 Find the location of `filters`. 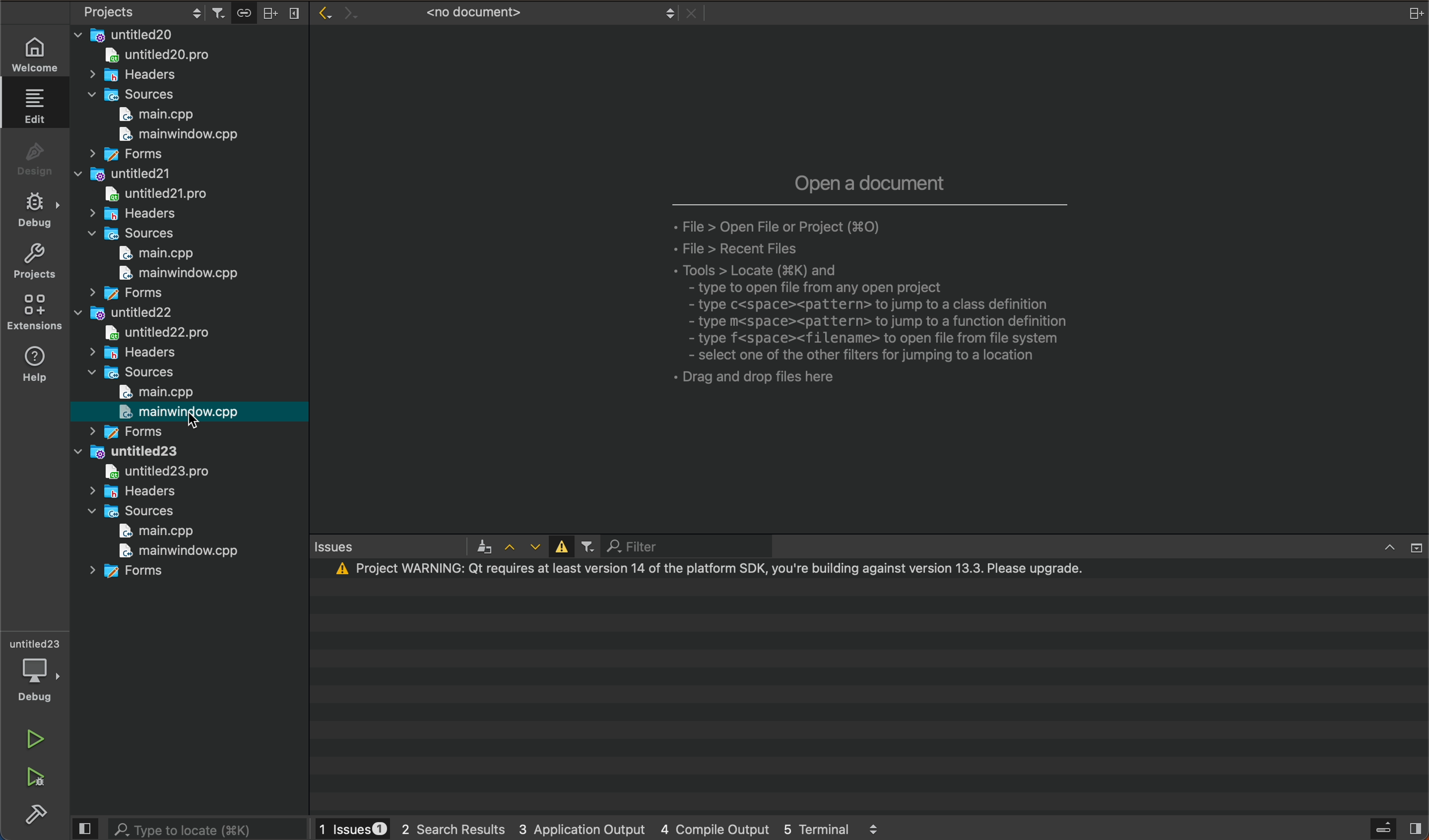

filters is located at coordinates (221, 12).